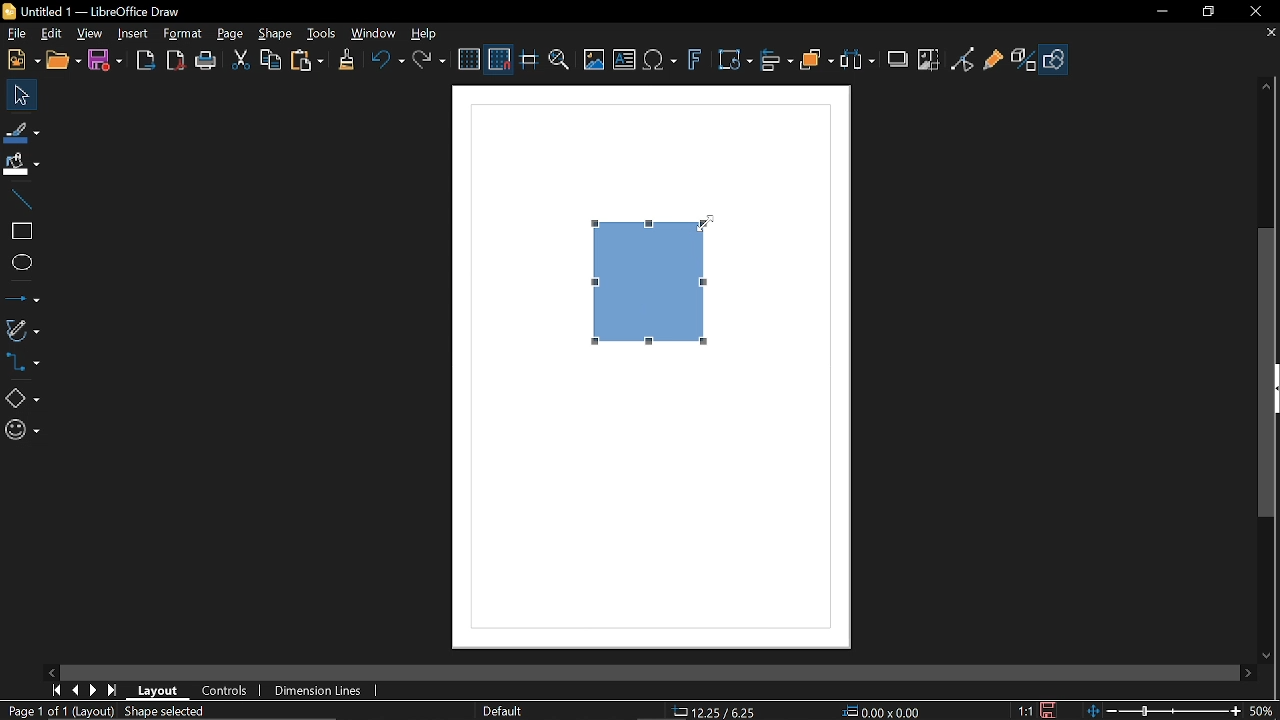 The image size is (1280, 720). Describe the element at coordinates (230, 34) in the screenshot. I see `Page` at that location.